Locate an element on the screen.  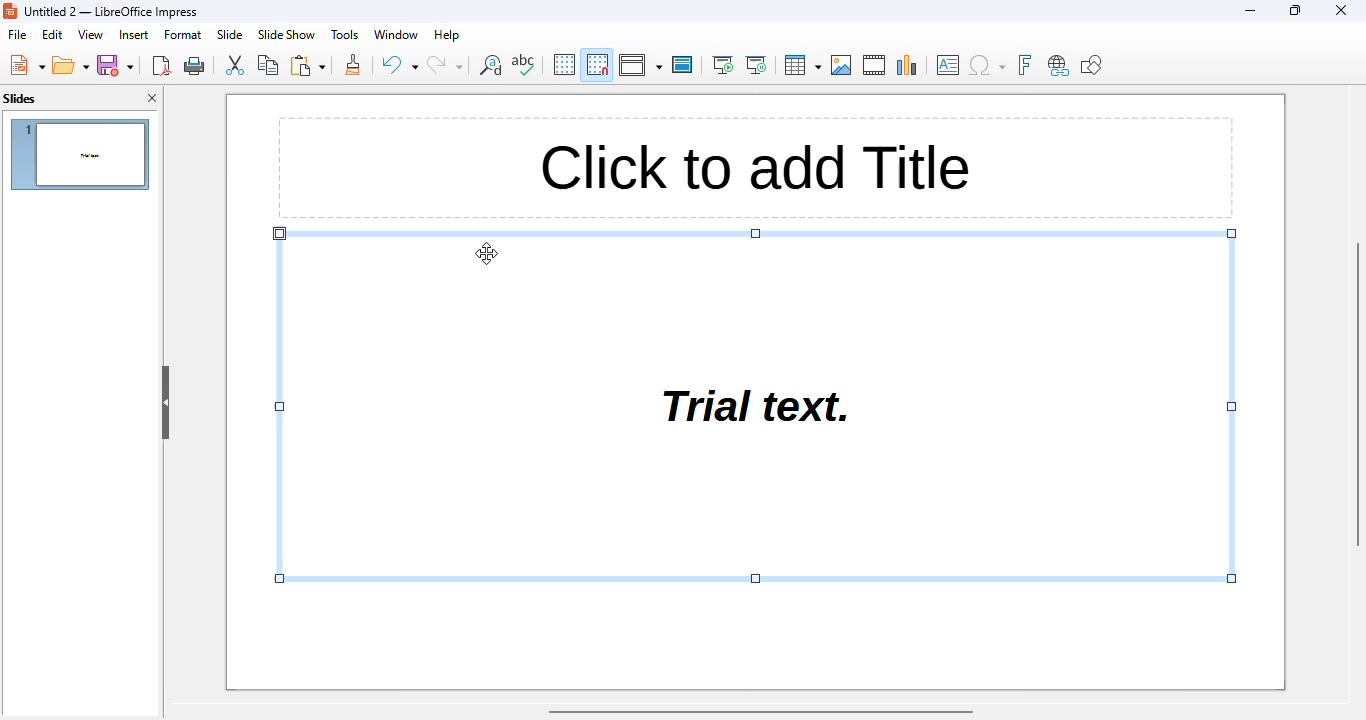
insert fontwork text is located at coordinates (1024, 64).